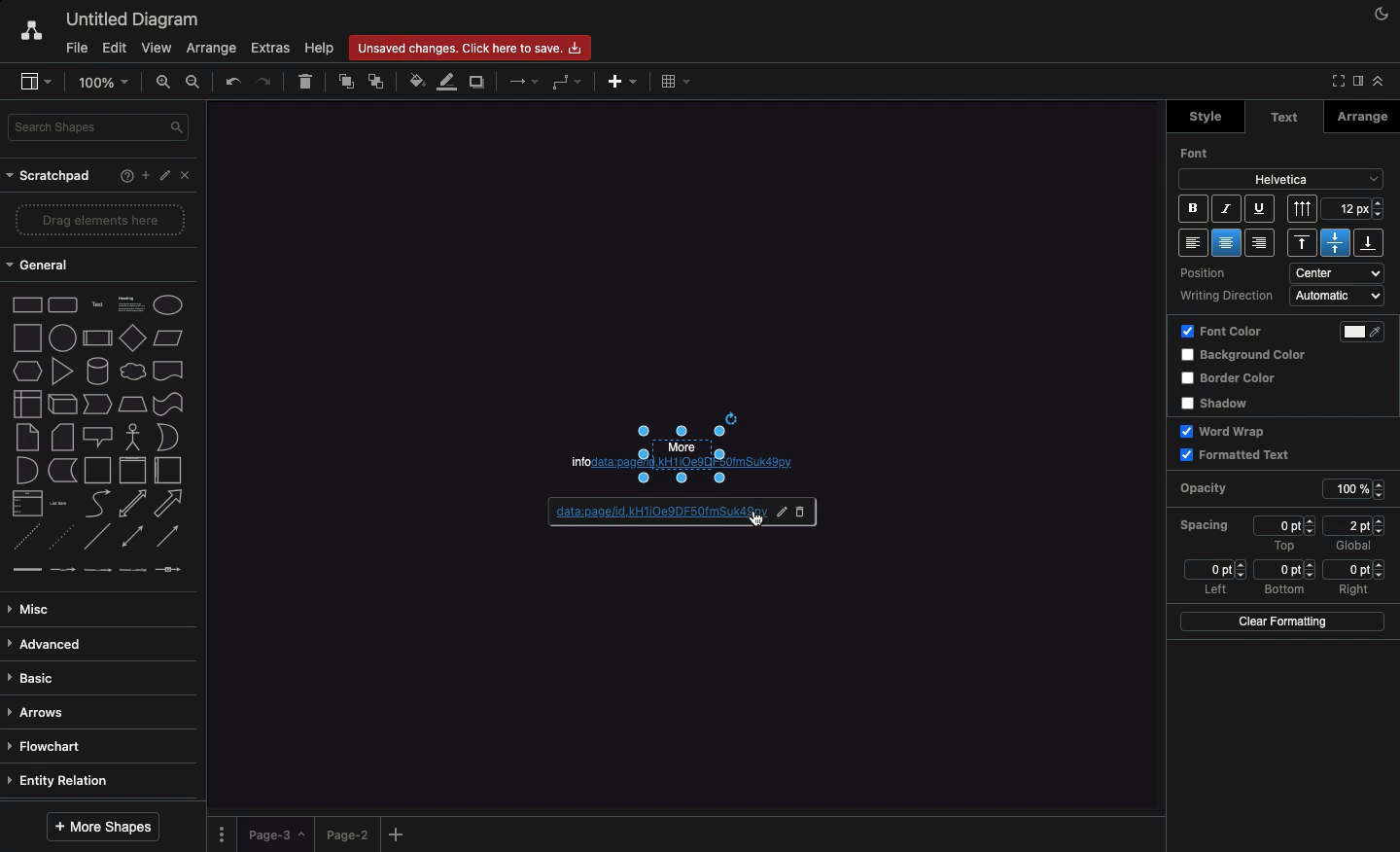  What do you see at coordinates (1306, 243) in the screenshot?
I see `Top` at bounding box center [1306, 243].